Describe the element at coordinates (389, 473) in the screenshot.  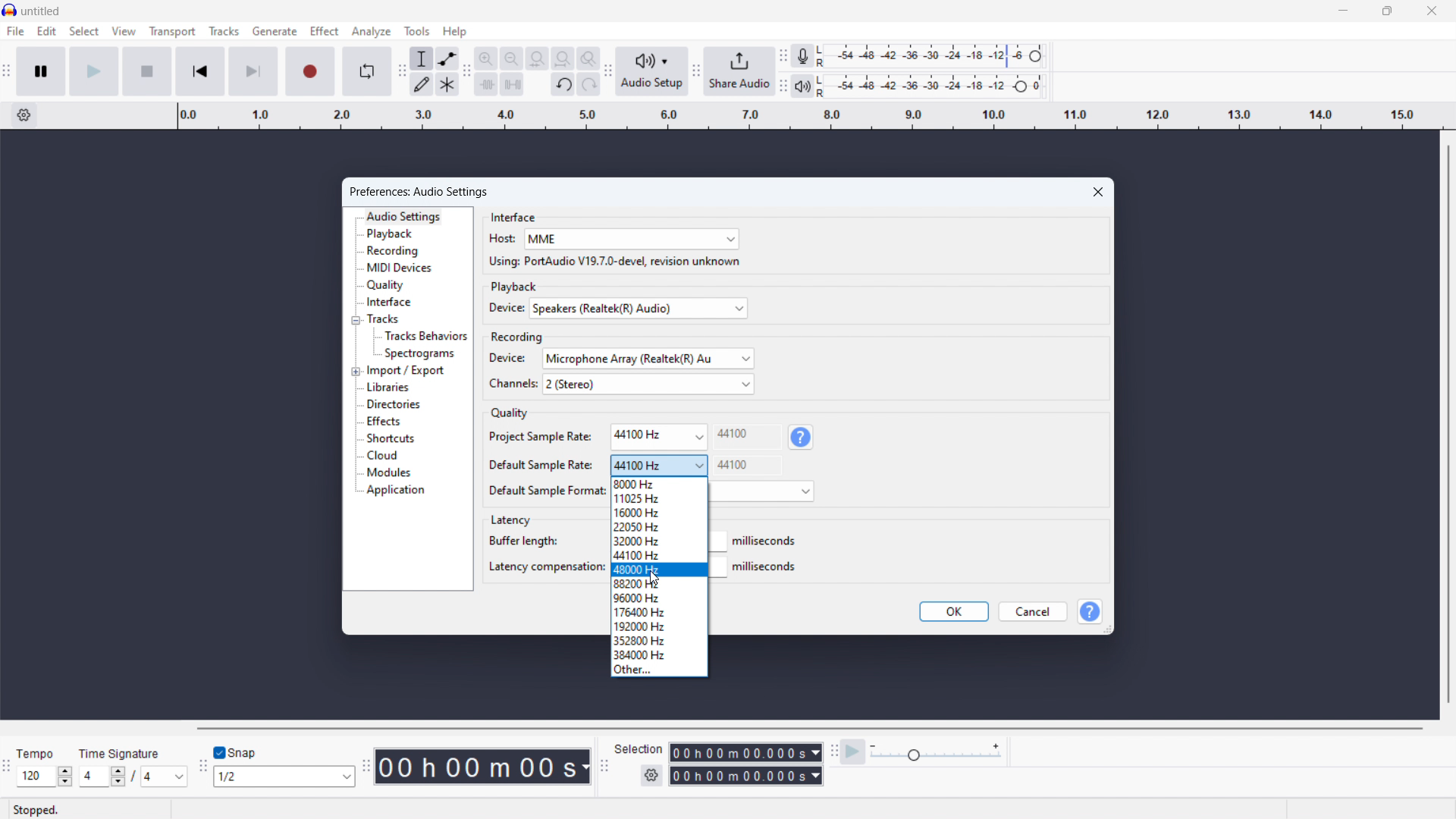
I see `modules` at that location.